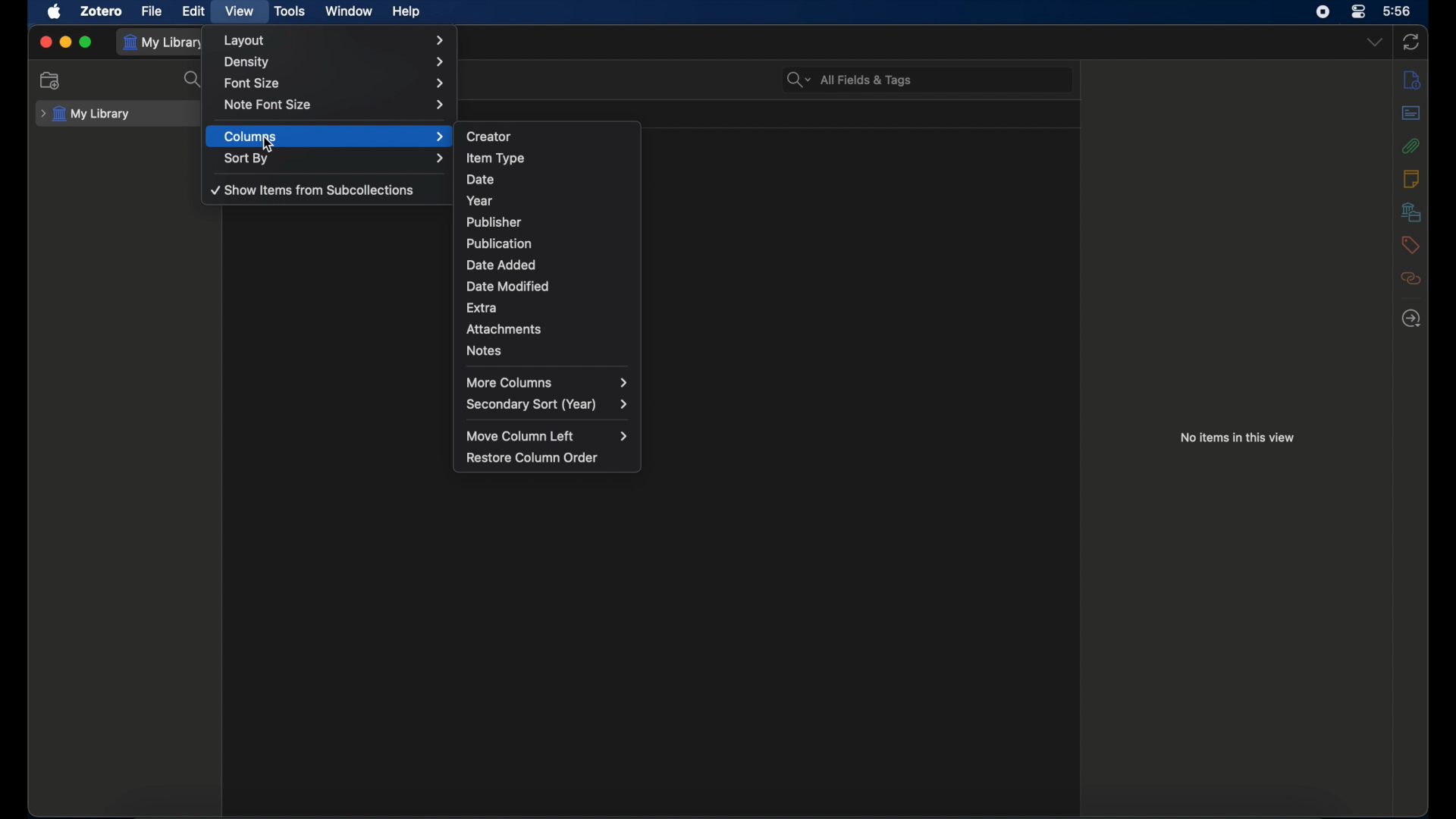 The image size is (1456, 819). I want to click on file, so click(153, 11).